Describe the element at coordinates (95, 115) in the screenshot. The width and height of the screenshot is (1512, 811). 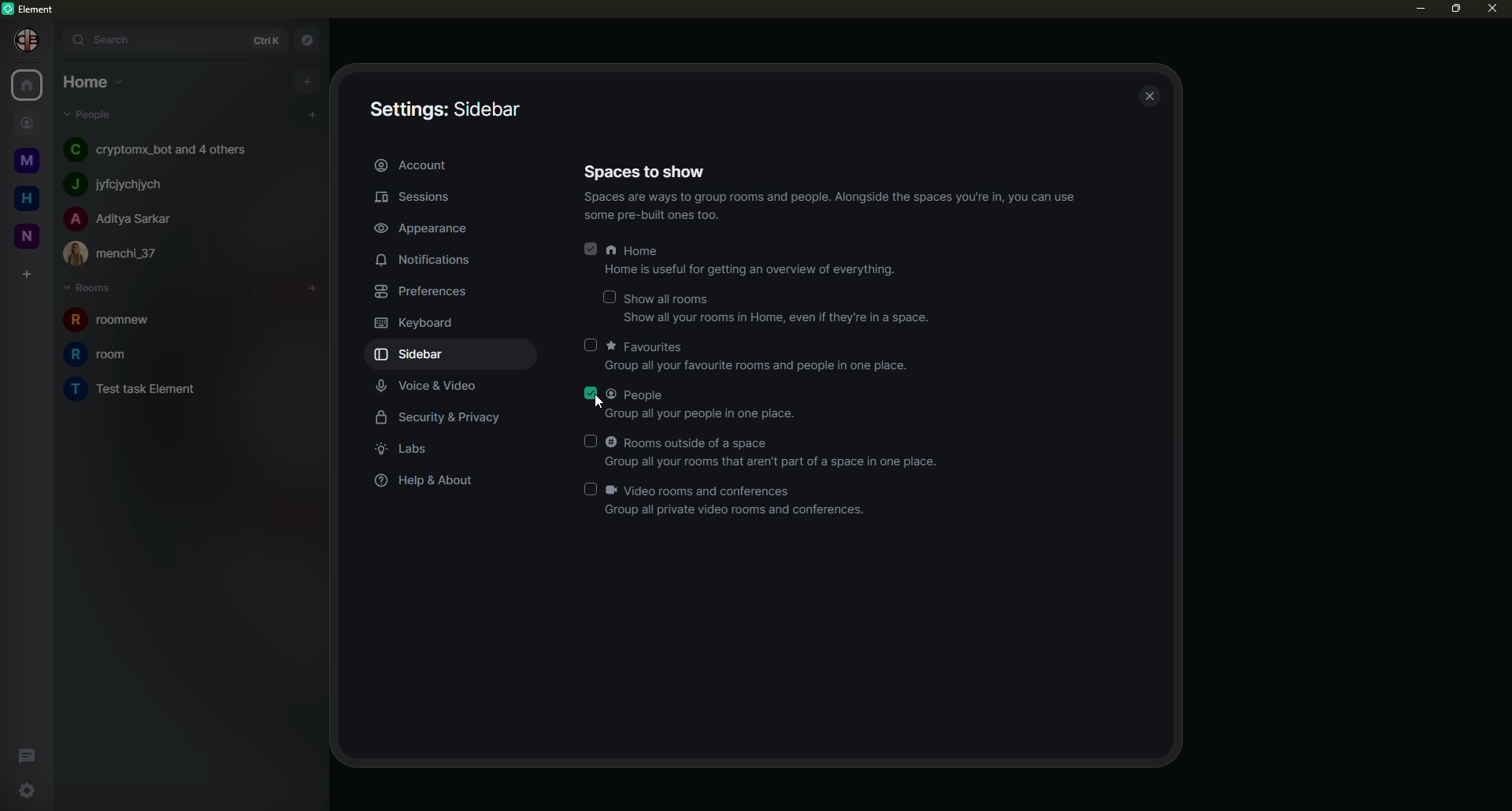
I see `people` at that location.